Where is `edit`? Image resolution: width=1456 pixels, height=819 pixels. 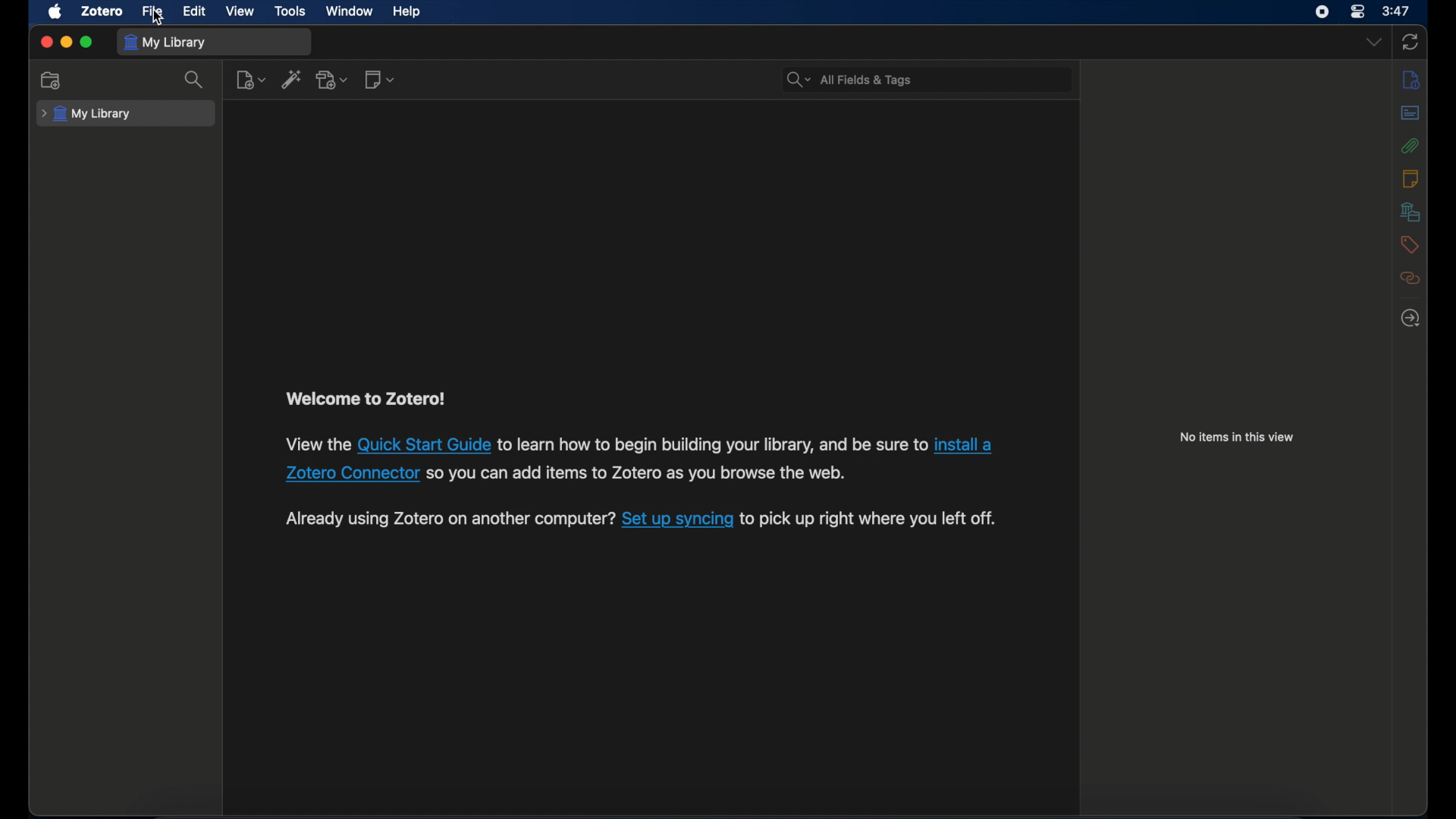
edit is located at coordinates (196, 11).